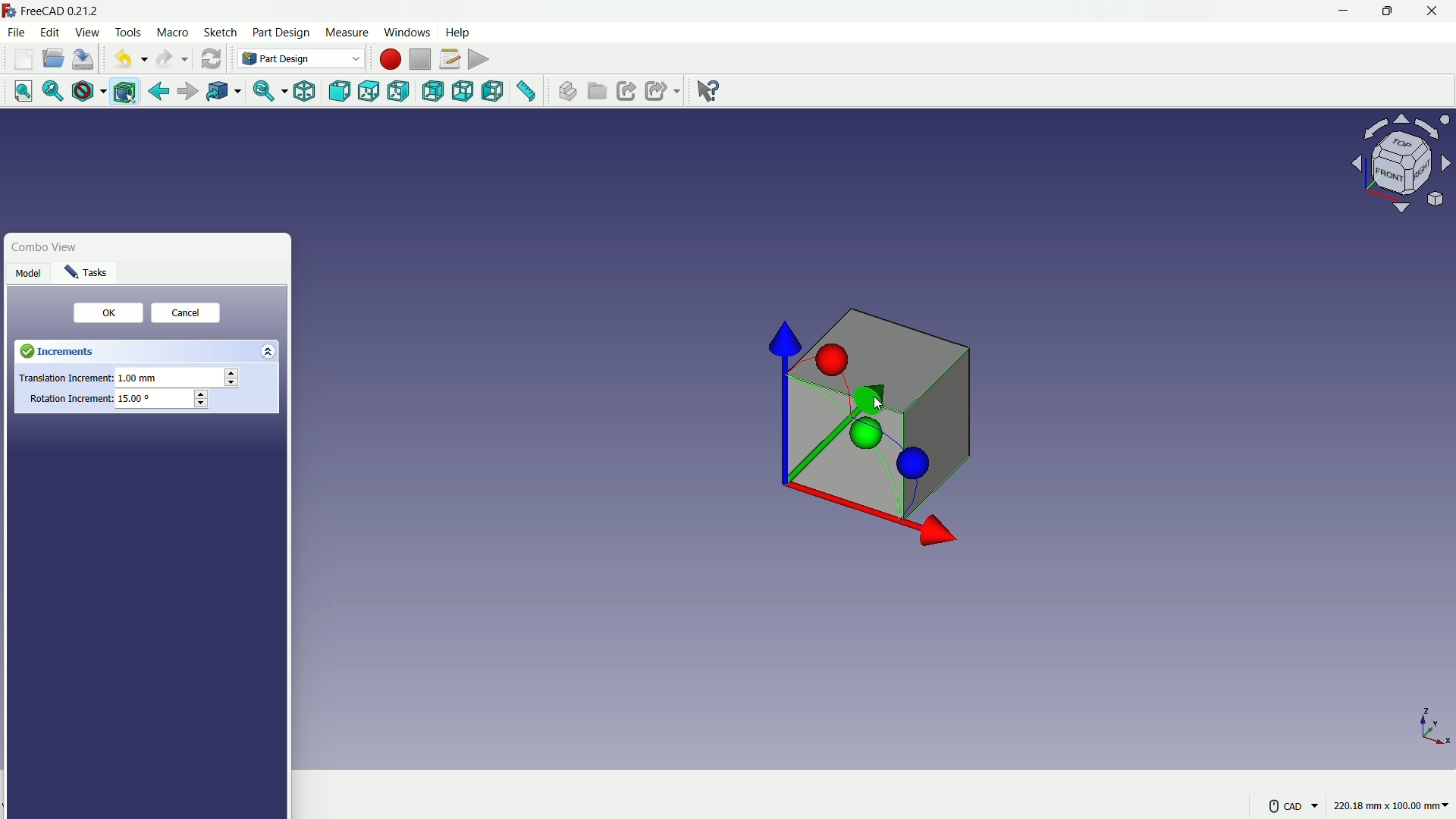 This screenshot has width=1456, height=819. I want to click on Translation Increment:, so click(66, 377).